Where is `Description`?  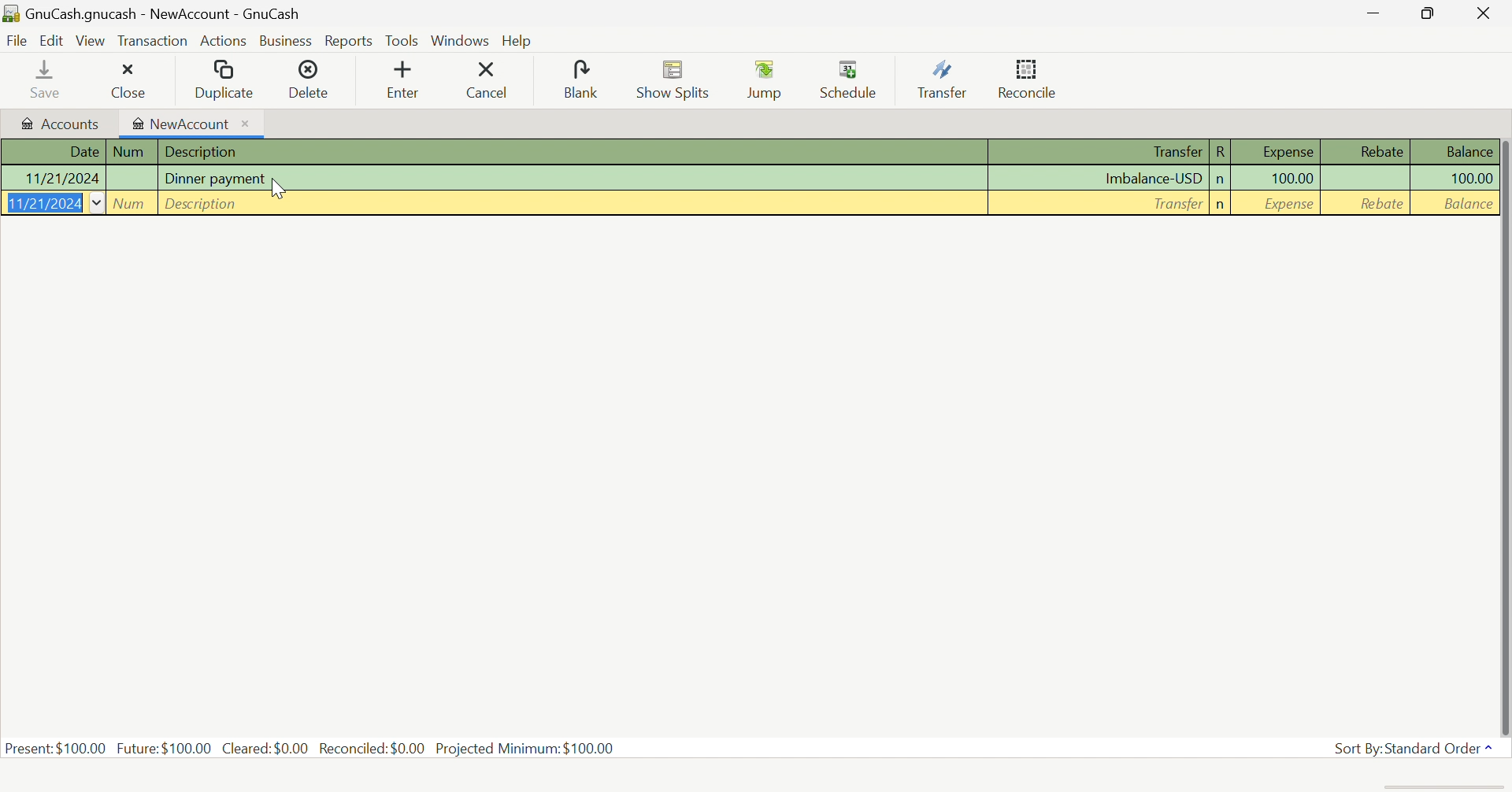 Description is located at coordinates (199, 152).